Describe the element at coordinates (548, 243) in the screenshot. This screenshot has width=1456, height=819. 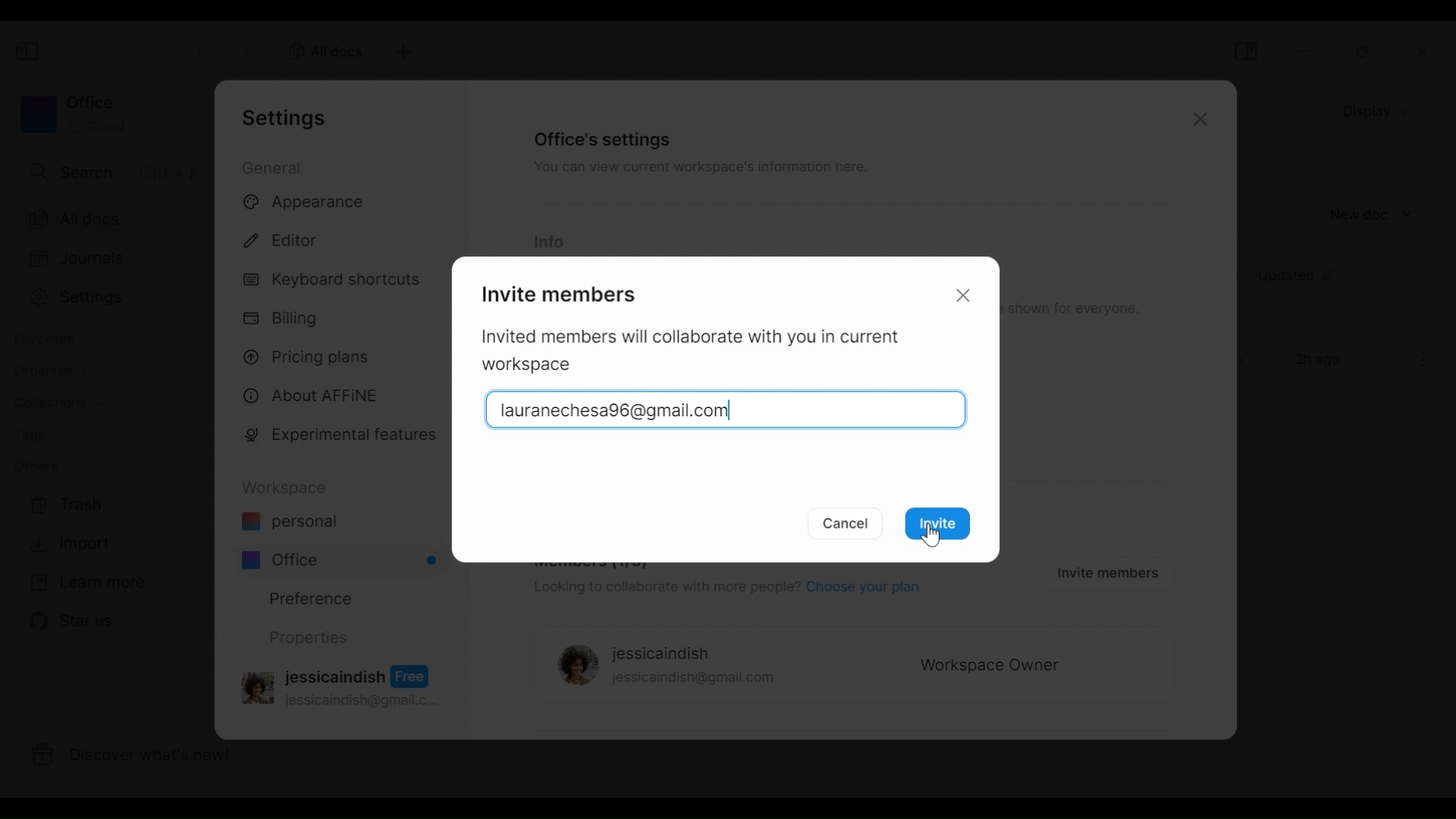
I see `Info` at that location.